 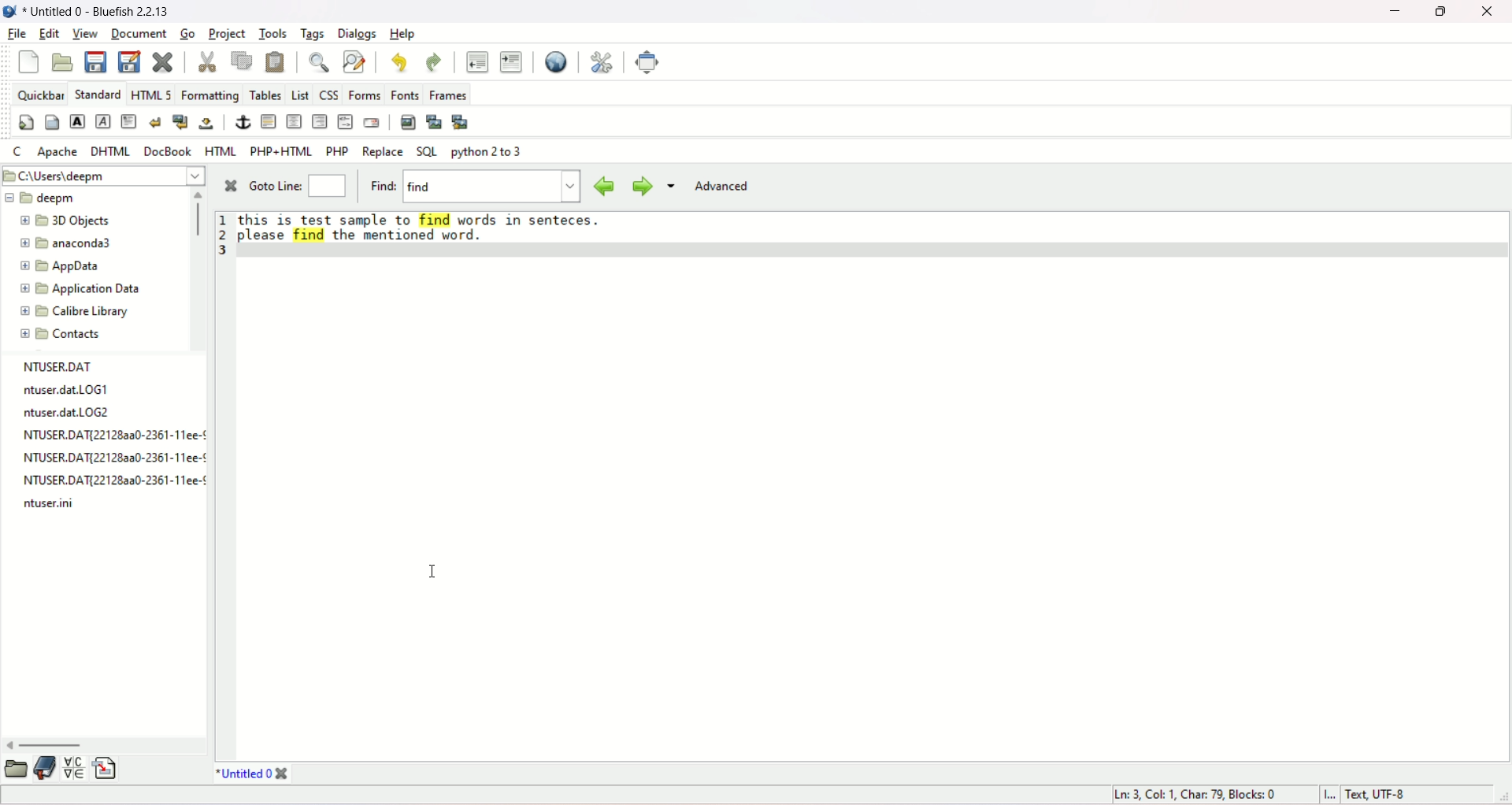 I want to click on fonts, so click(x=404, y=93).